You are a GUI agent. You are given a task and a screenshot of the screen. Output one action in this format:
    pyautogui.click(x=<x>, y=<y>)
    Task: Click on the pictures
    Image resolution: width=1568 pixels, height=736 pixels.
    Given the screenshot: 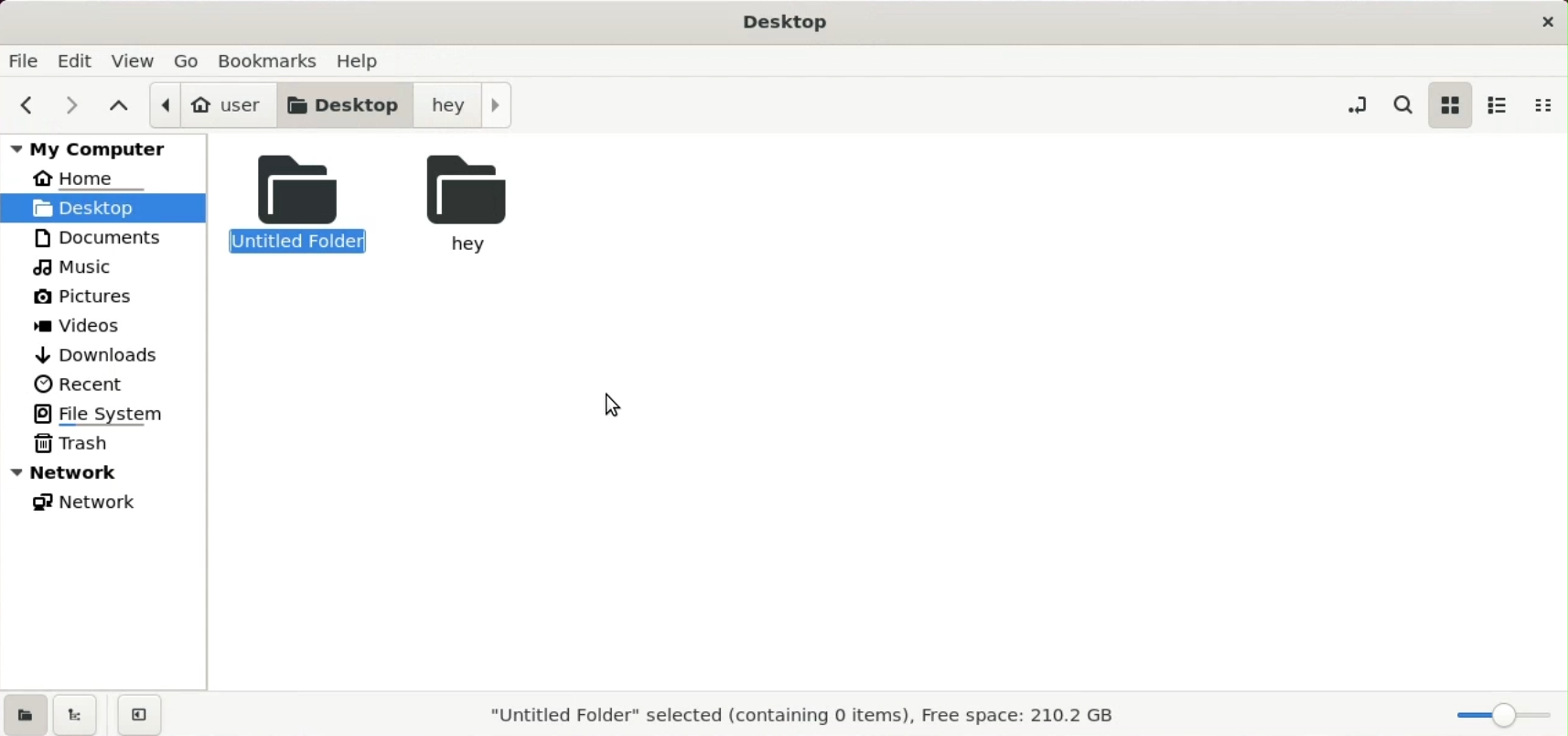 What is the action you would take?
    pyautogui.click(x=82, y=296)
    